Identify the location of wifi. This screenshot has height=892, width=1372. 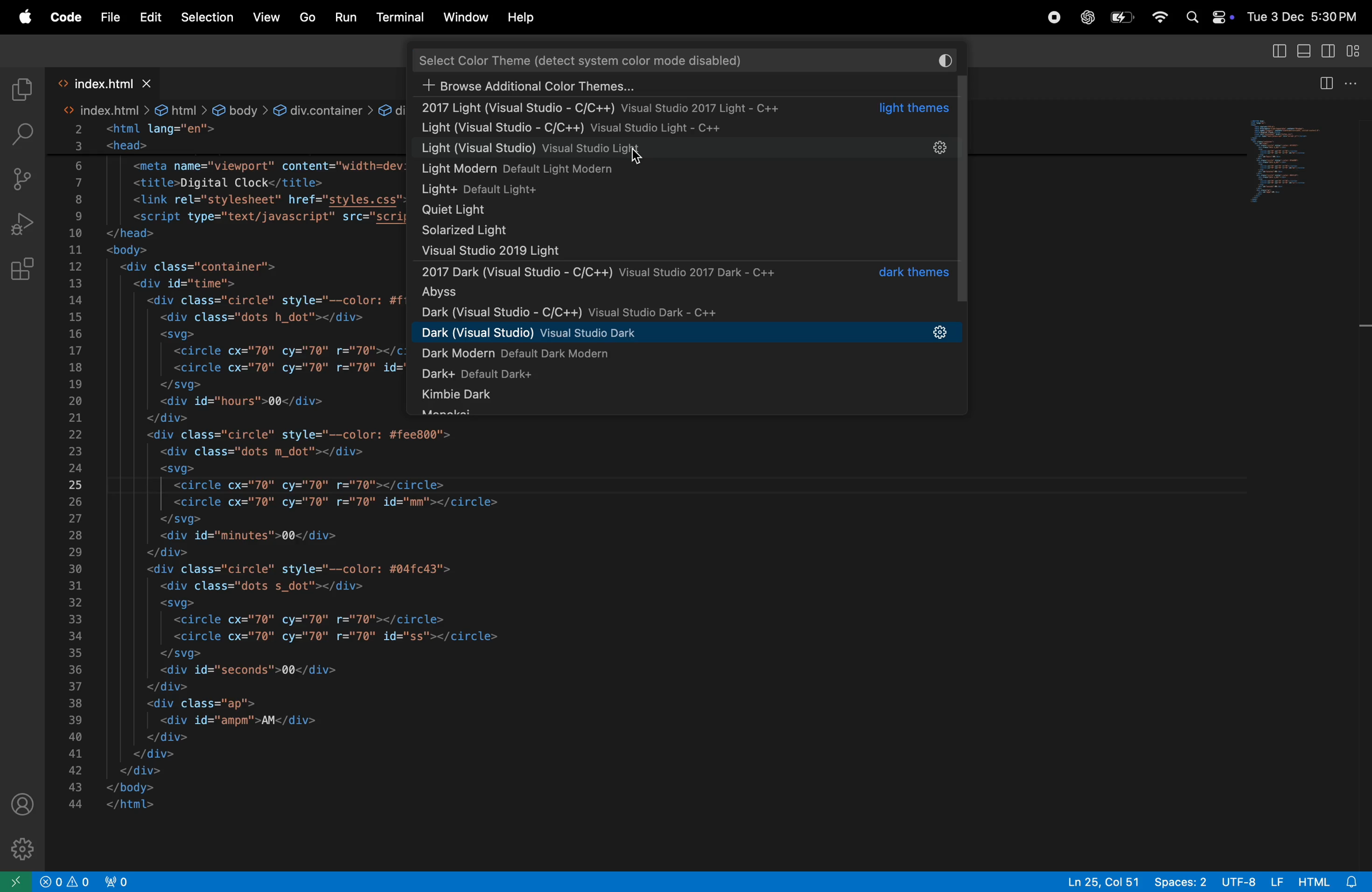
(1158, 19).